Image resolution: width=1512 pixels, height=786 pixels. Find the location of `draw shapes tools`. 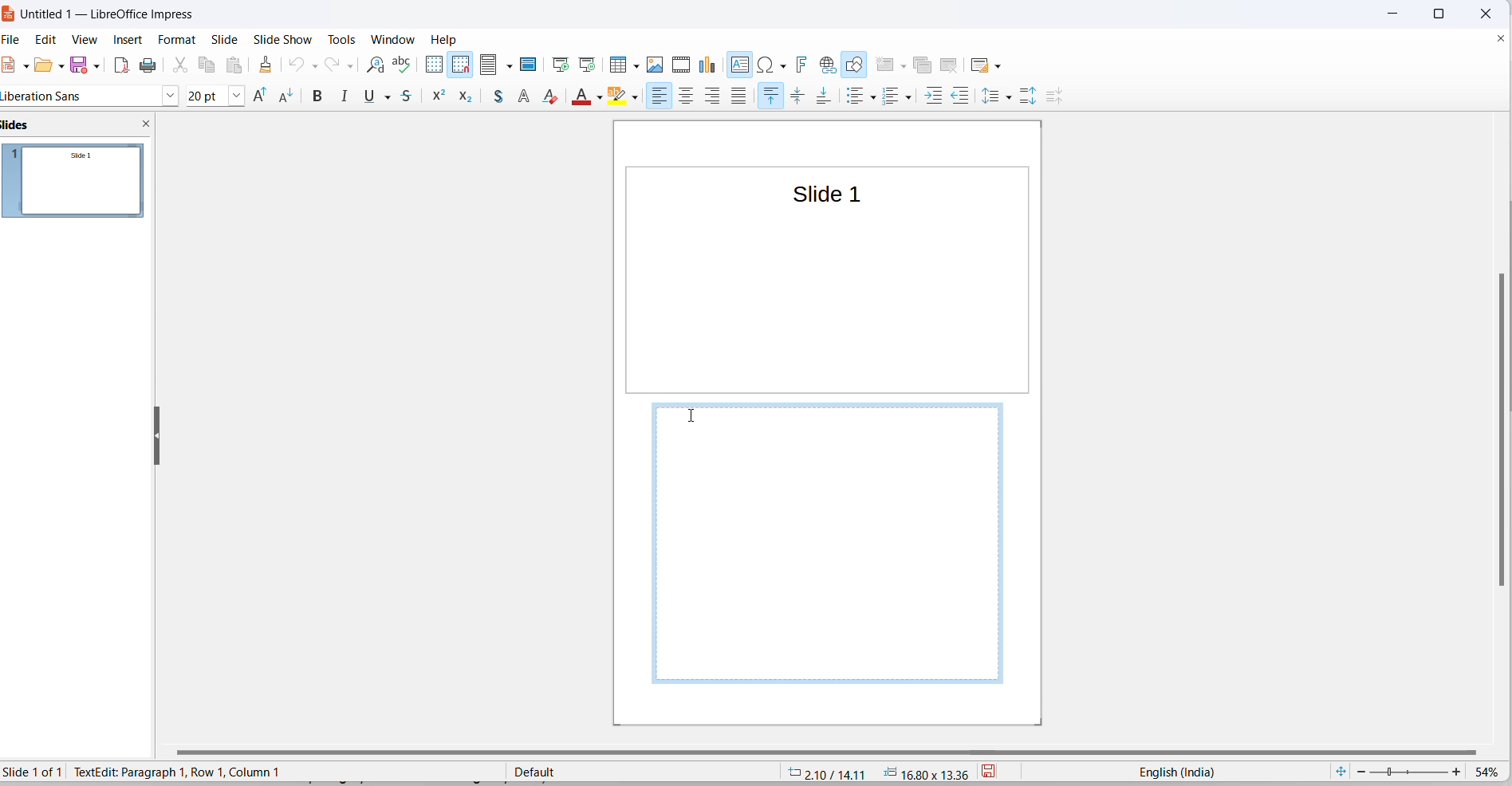

draw shapes tools is located at coordinates (856, 65).